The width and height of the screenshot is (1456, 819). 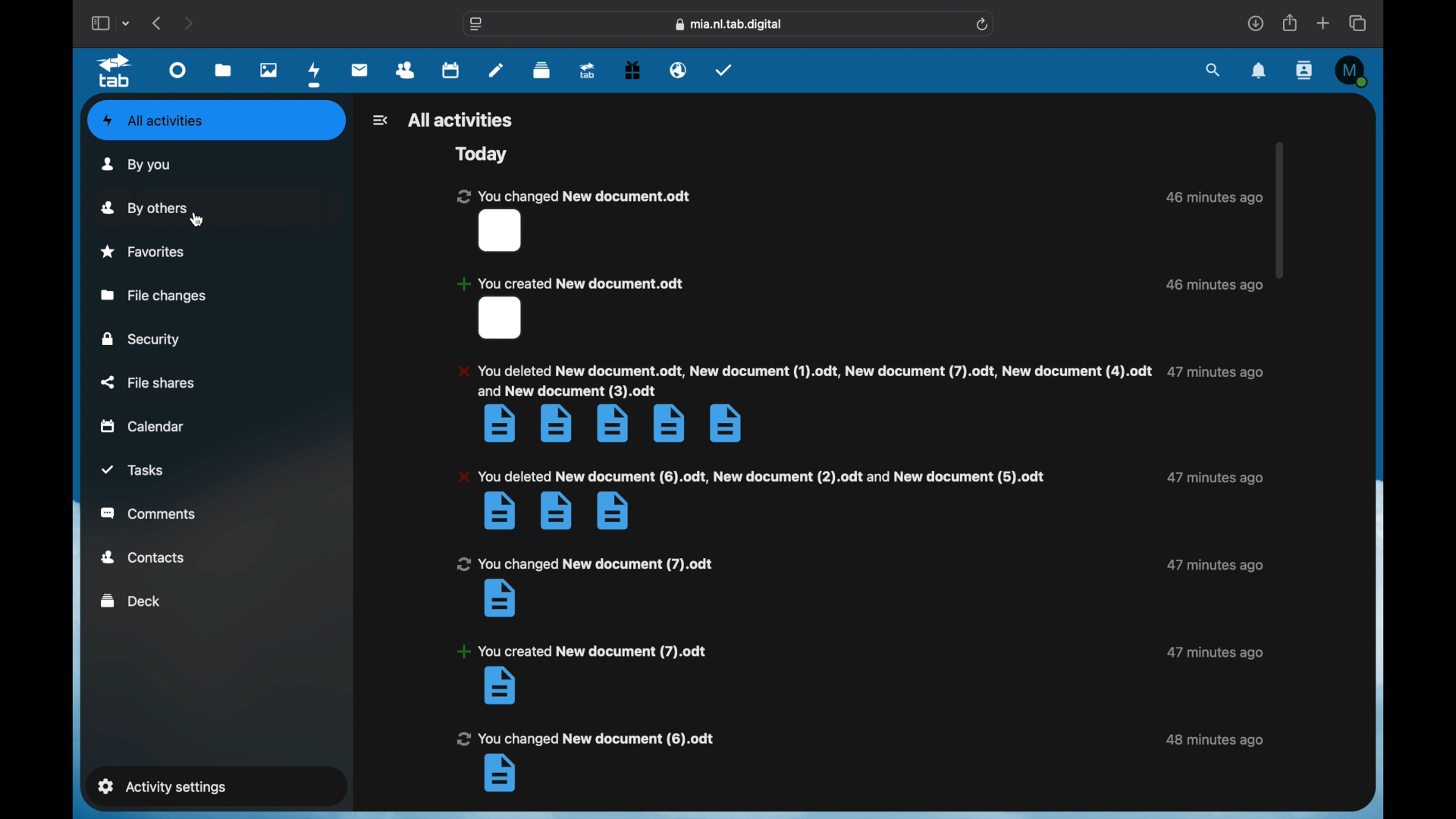 I want to click on activity, so click(x=315, y=76).